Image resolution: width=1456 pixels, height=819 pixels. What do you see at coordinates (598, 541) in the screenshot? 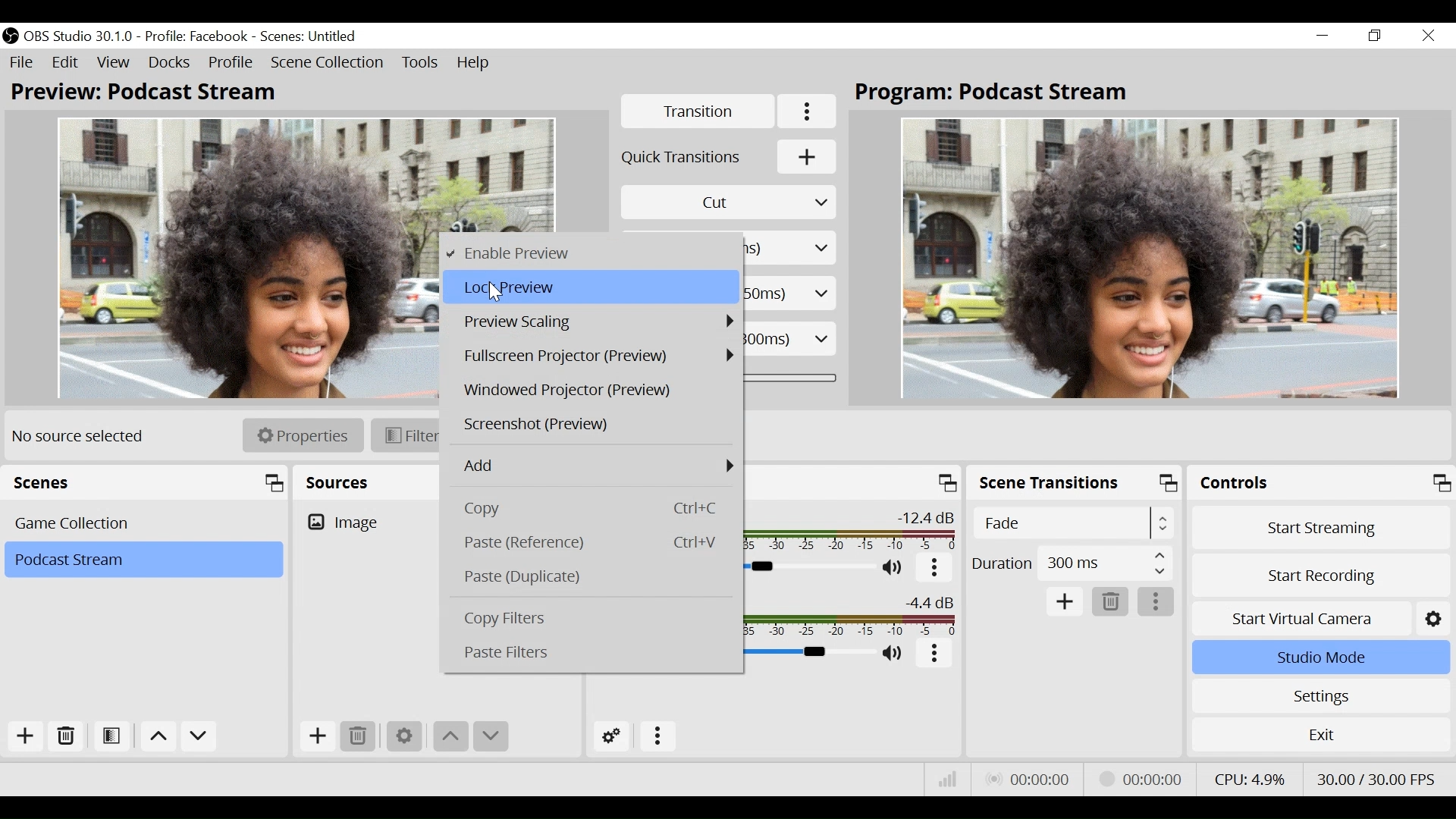
I see `Paste (Reference)` at bounding box center [598, 541].